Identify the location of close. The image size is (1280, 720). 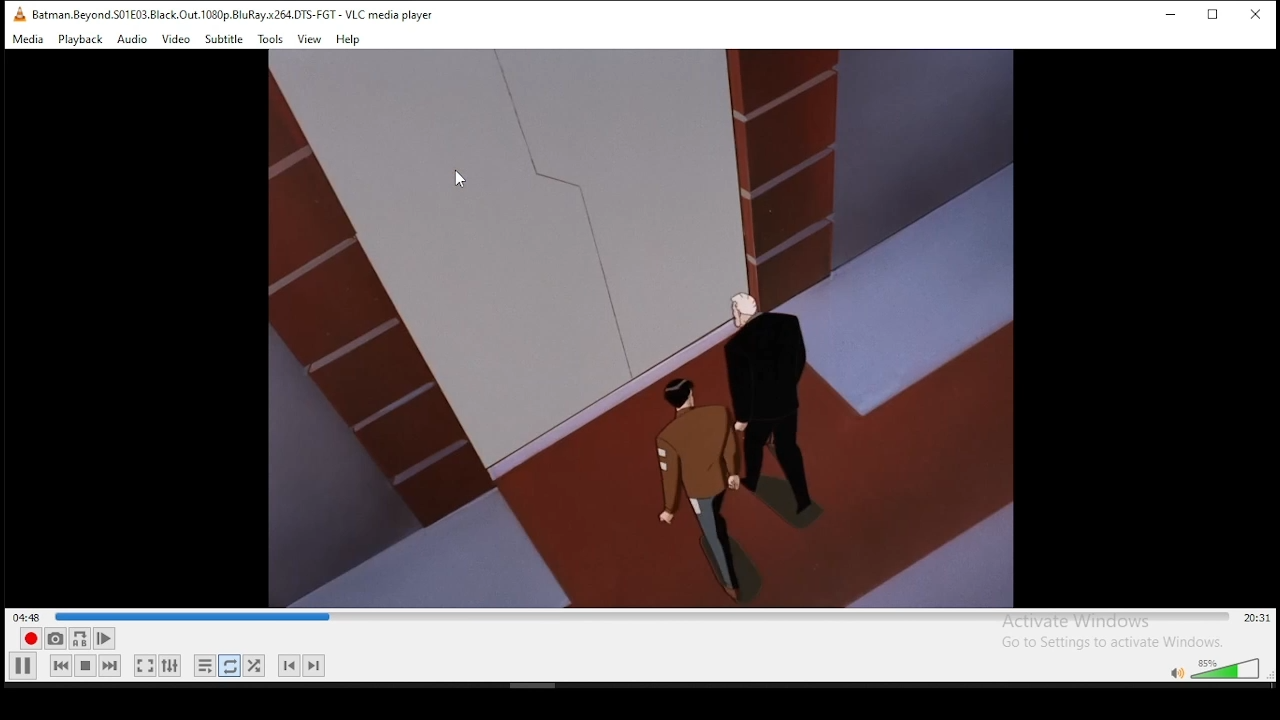
(1255, 16).